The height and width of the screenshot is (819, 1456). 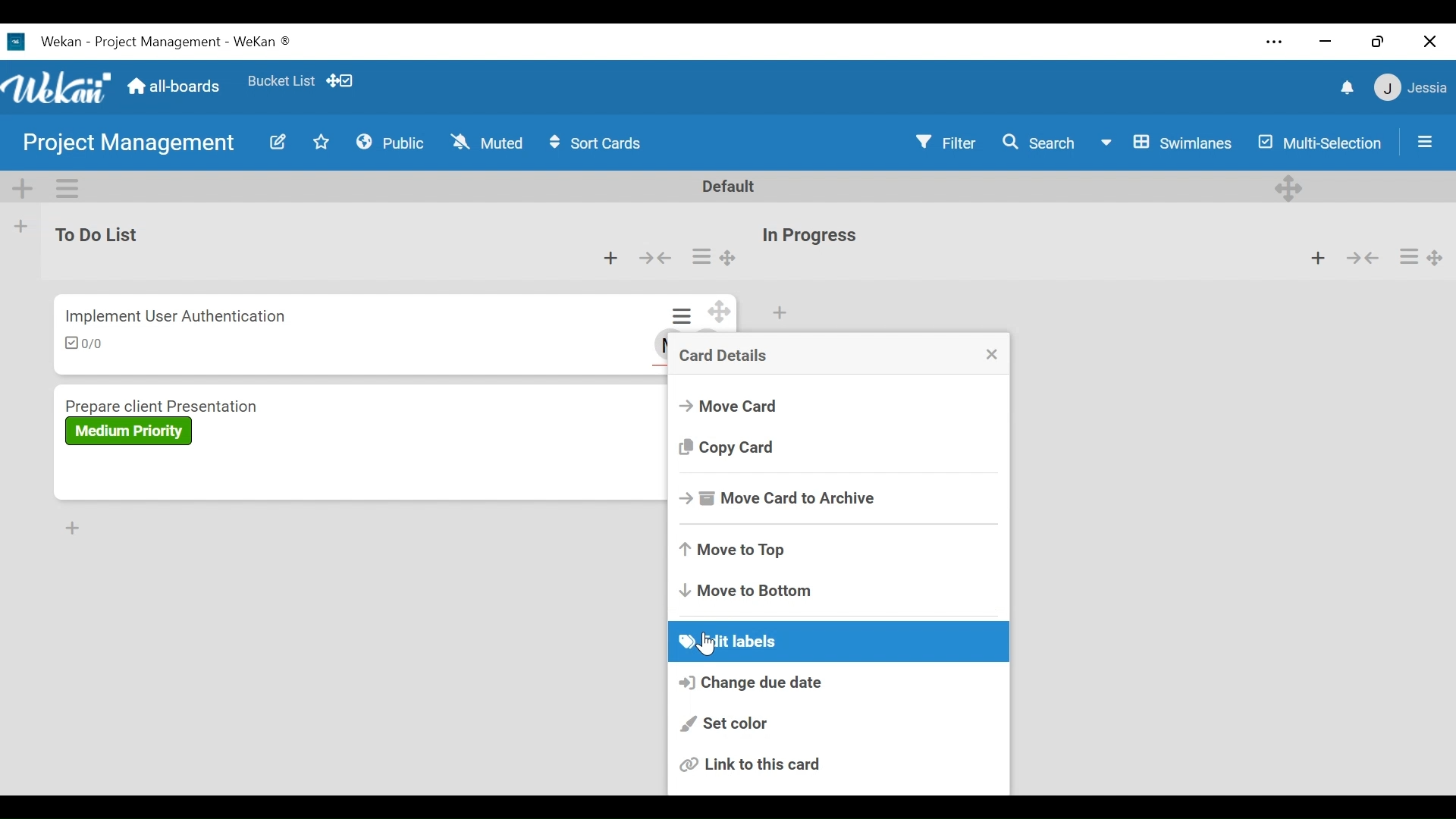 I want to click on Edit labels, so click(x=840, y=640).